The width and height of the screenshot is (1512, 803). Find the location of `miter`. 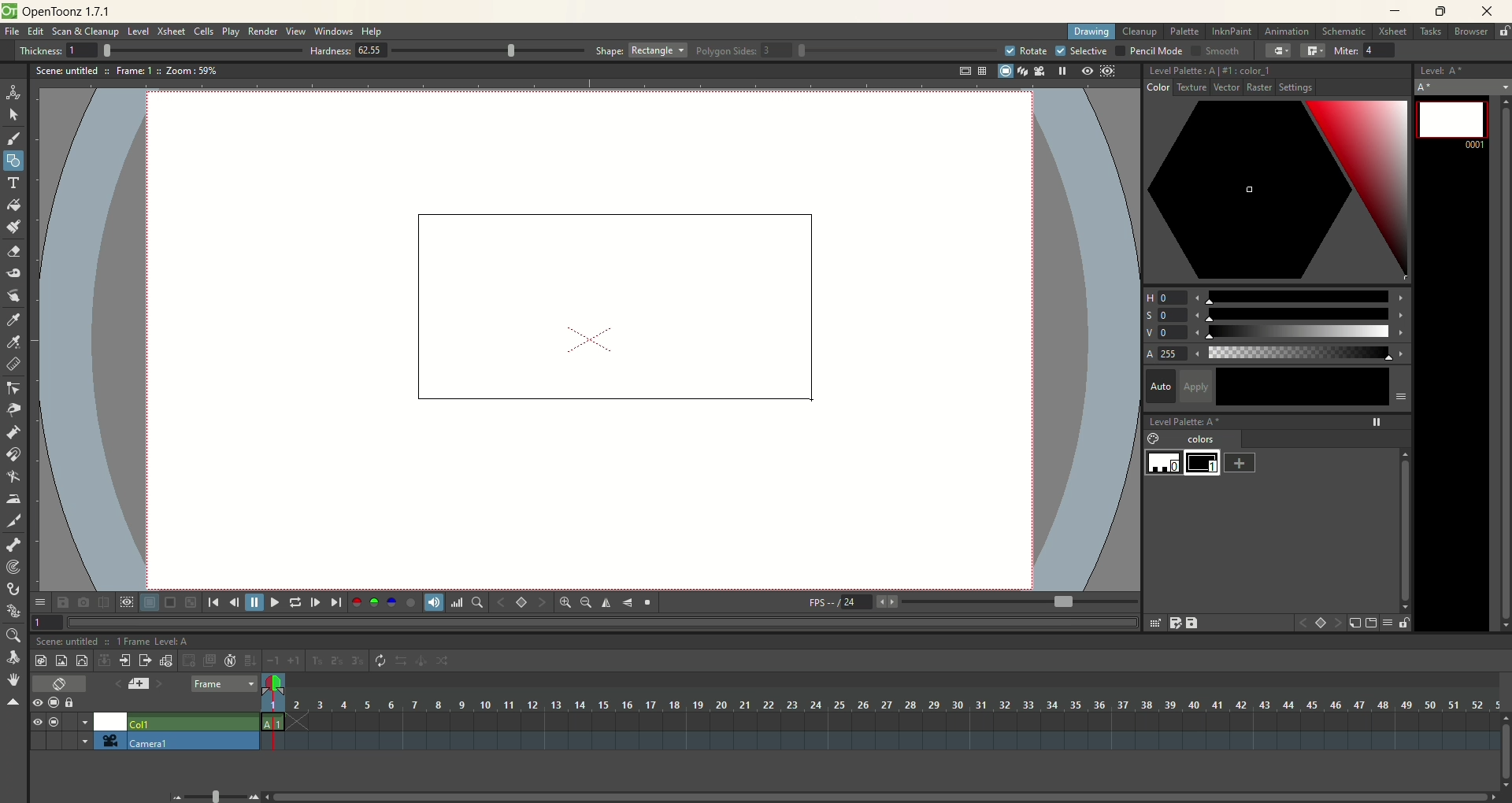

miter is located at coordinates (1367, 50).